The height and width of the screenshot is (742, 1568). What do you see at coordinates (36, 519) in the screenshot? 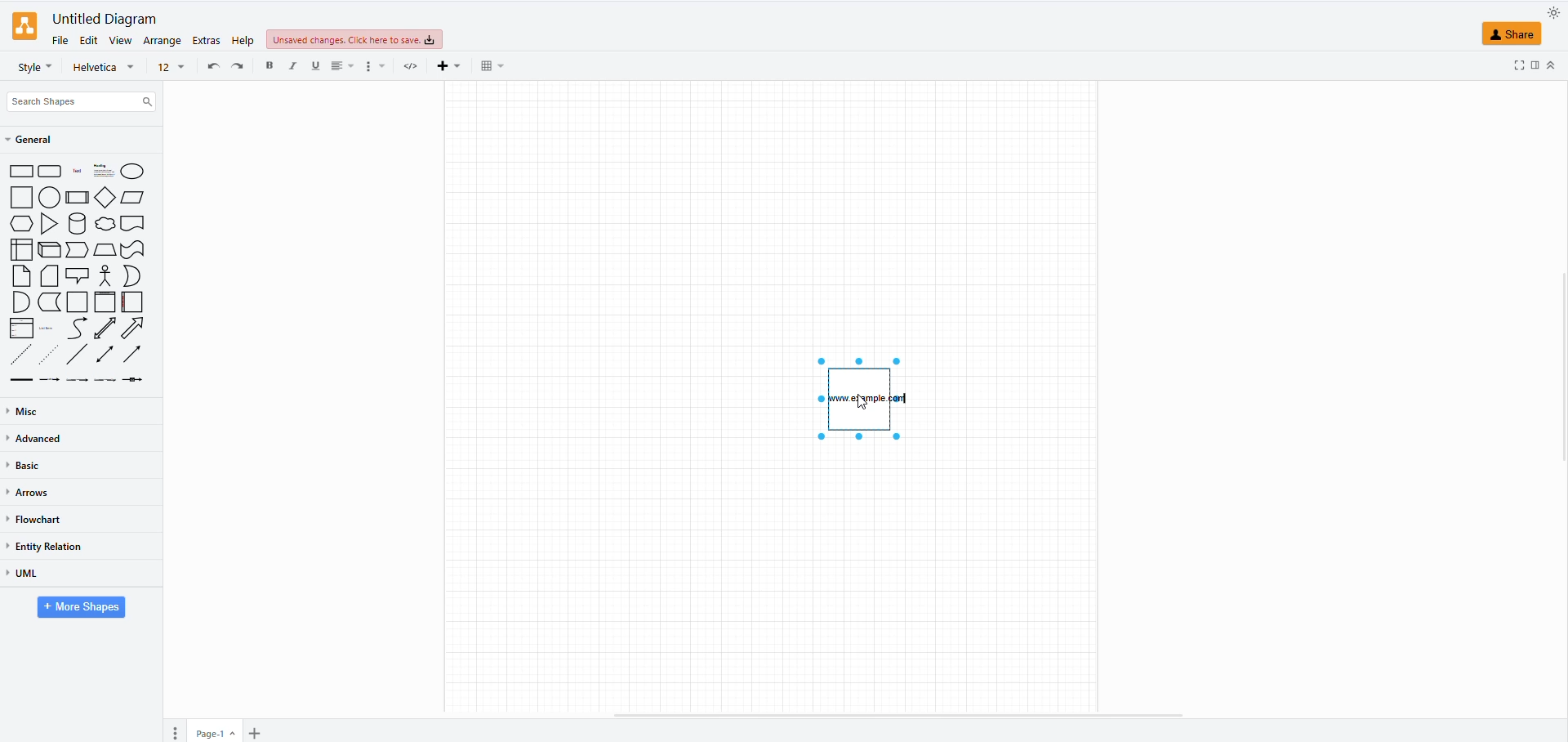
I see `flowchart` at bounding box center [36, 519].